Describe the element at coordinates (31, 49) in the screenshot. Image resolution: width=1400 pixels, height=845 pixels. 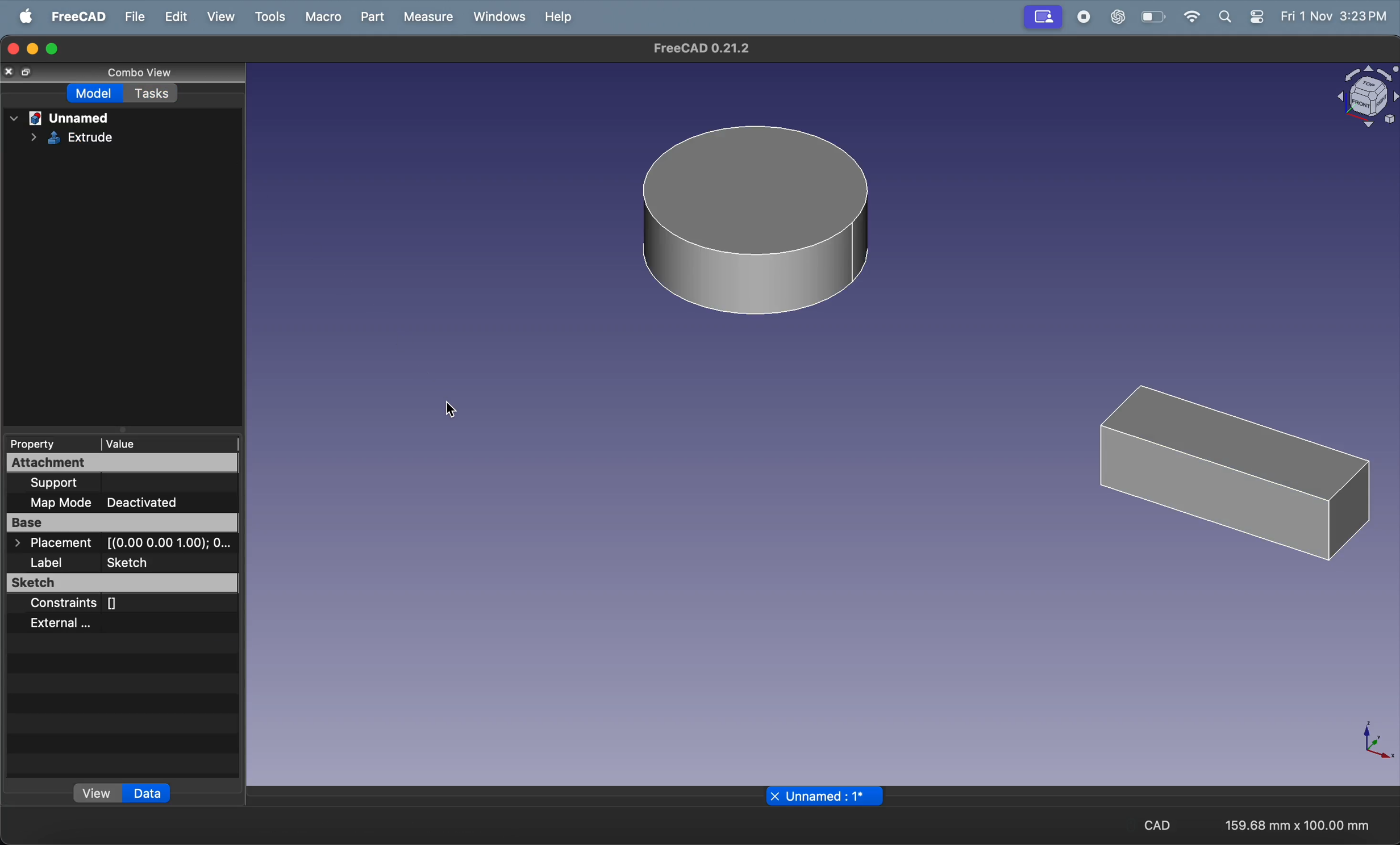
I see `minimize` at that location.